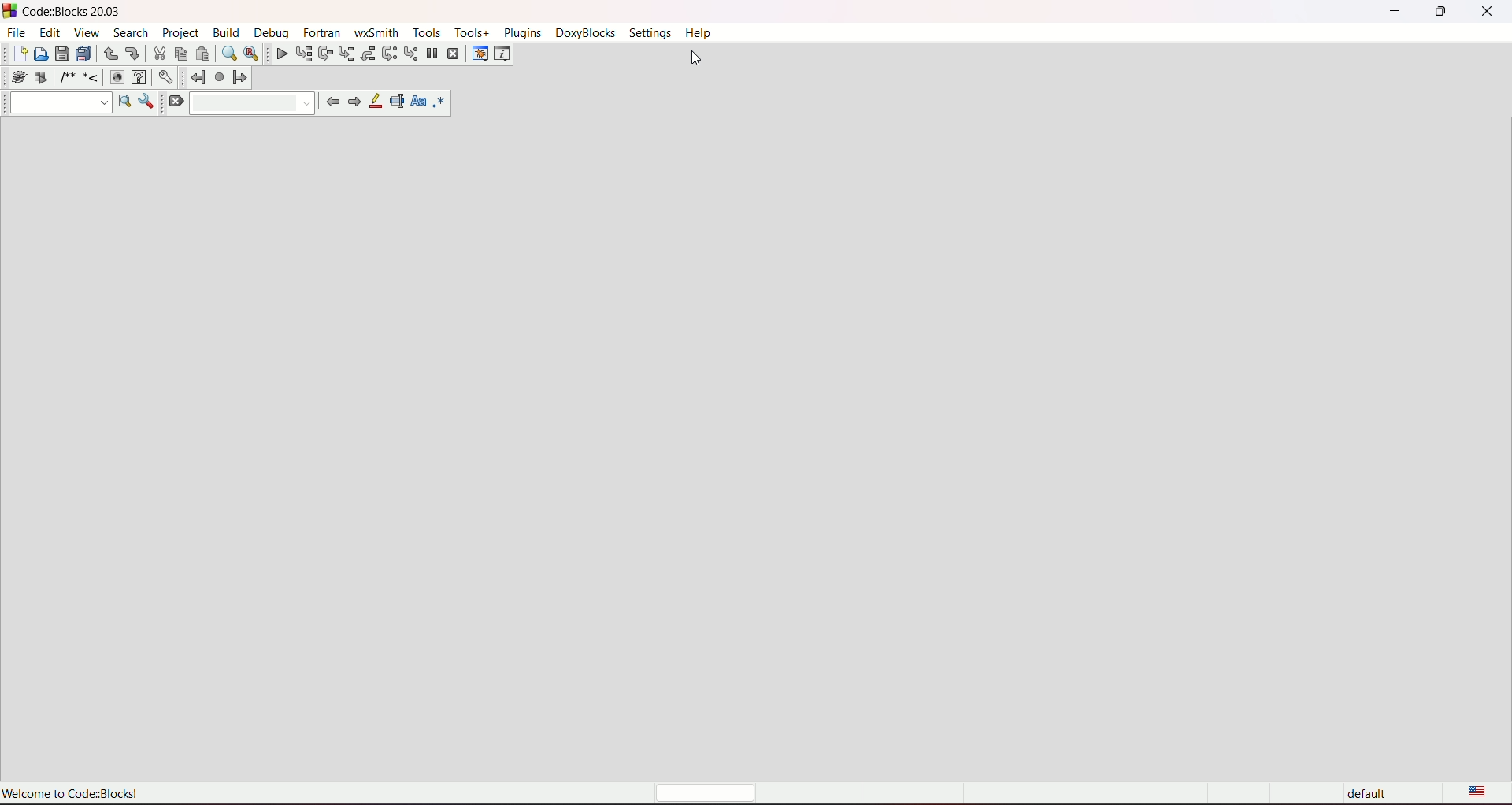 The height and width of the screenshot is (805, 1512). I want to click on fortran, so click(321, 33).